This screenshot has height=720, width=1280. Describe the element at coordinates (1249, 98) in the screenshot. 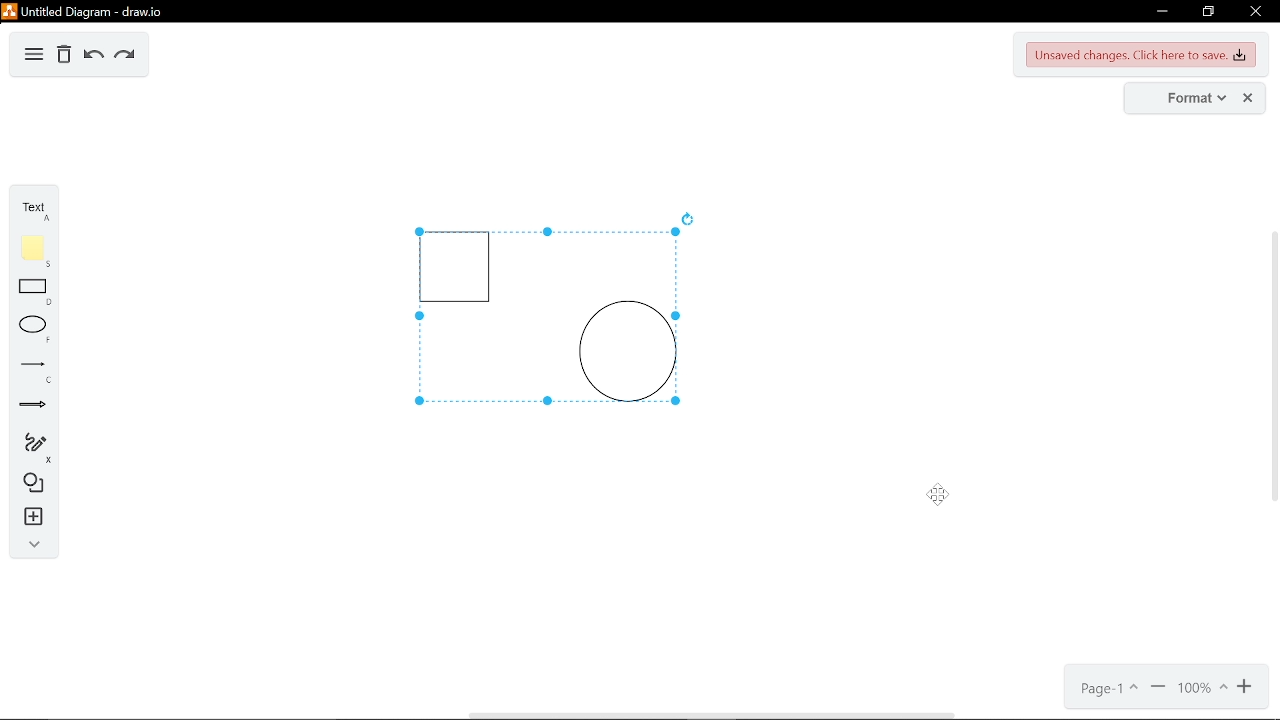

I see `close format` at that location.